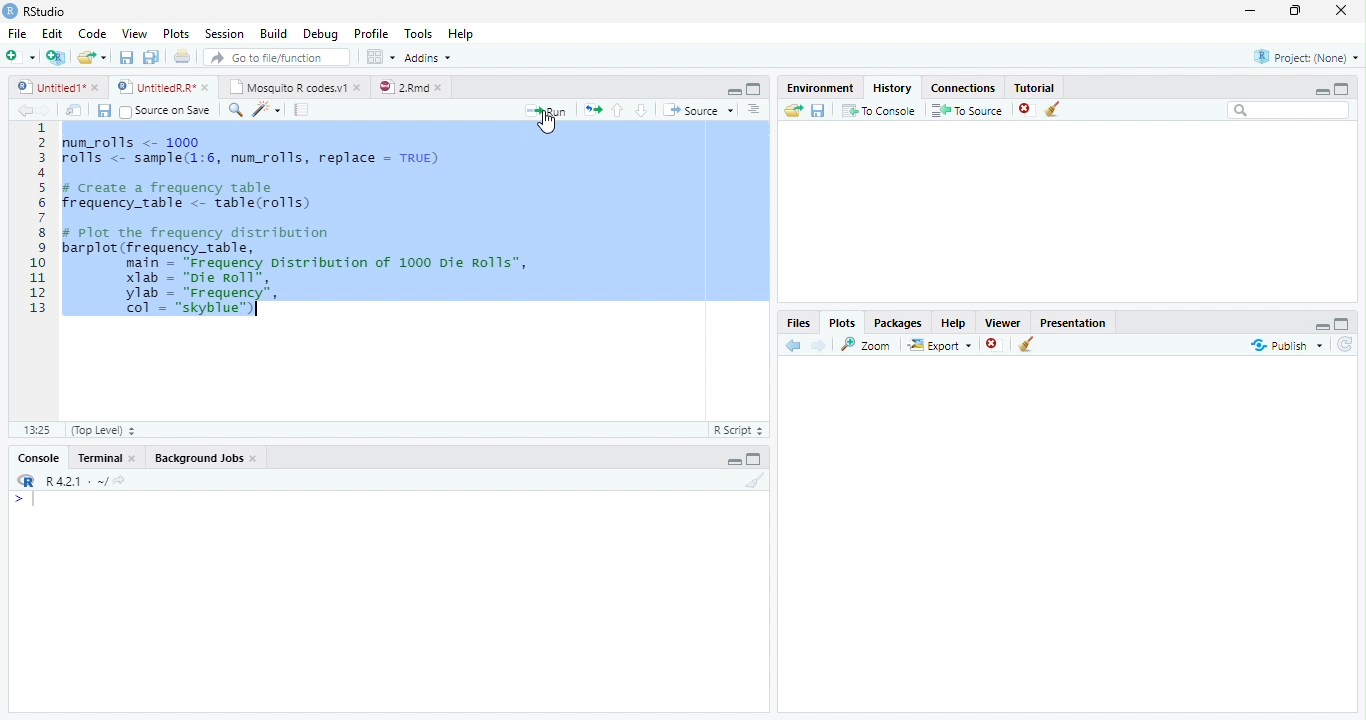 This screenshot has height=720, width=1366. What do you see at coordinates (739, 430) in the screenshot?
I see `R Script` at bounding box center [739, 430].